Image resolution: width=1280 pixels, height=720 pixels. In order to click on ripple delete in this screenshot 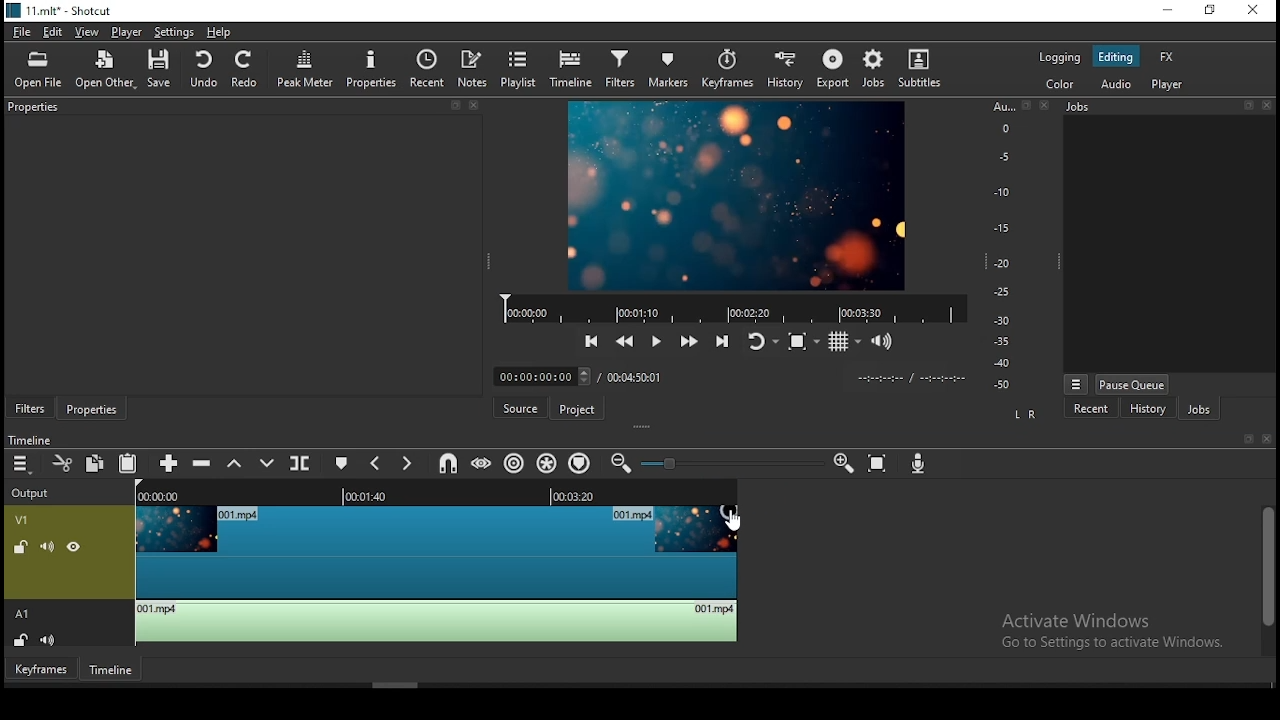, I will do `click(203, 463)`.